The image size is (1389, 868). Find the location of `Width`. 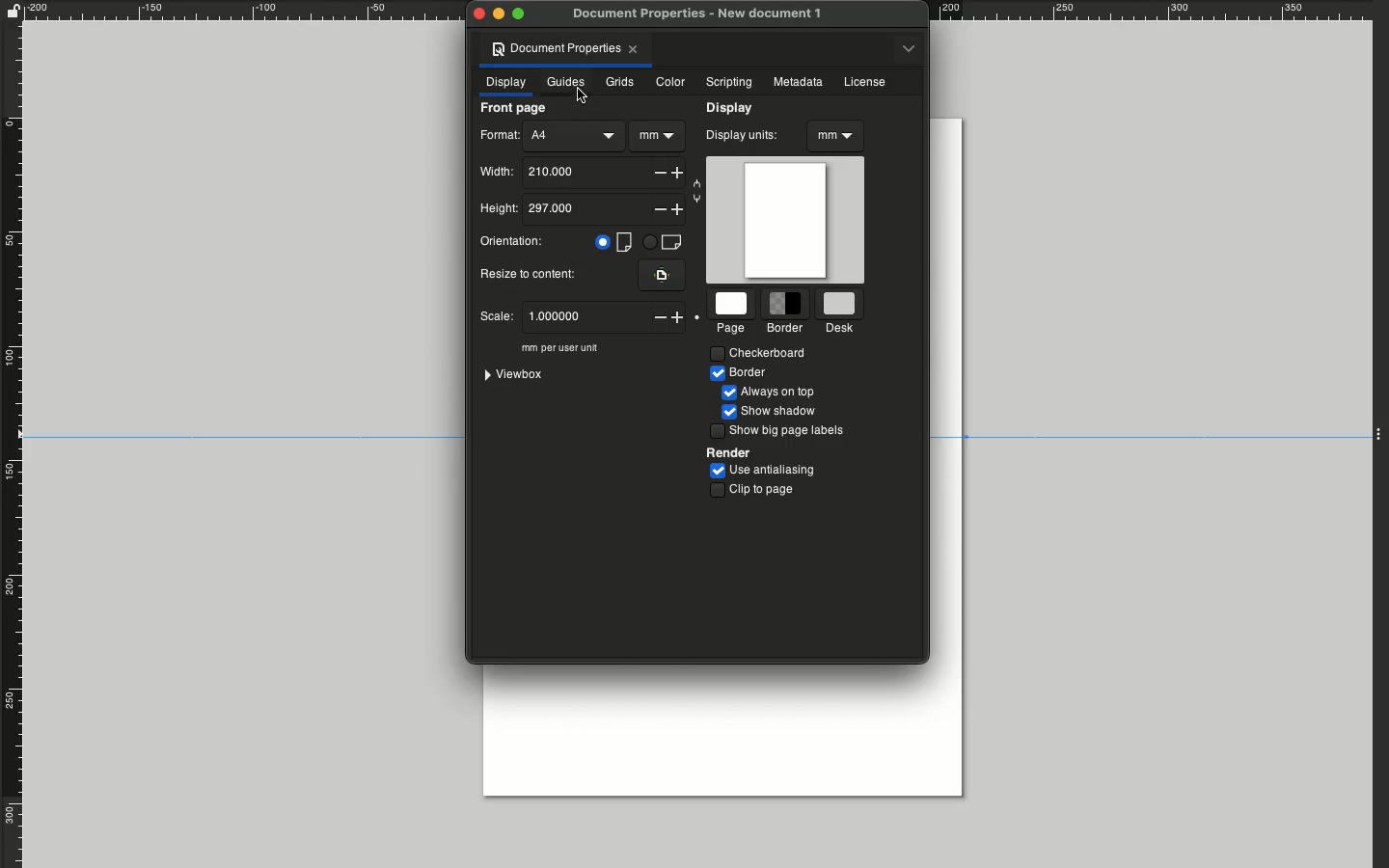

Width is located at coordinates (497, 170).